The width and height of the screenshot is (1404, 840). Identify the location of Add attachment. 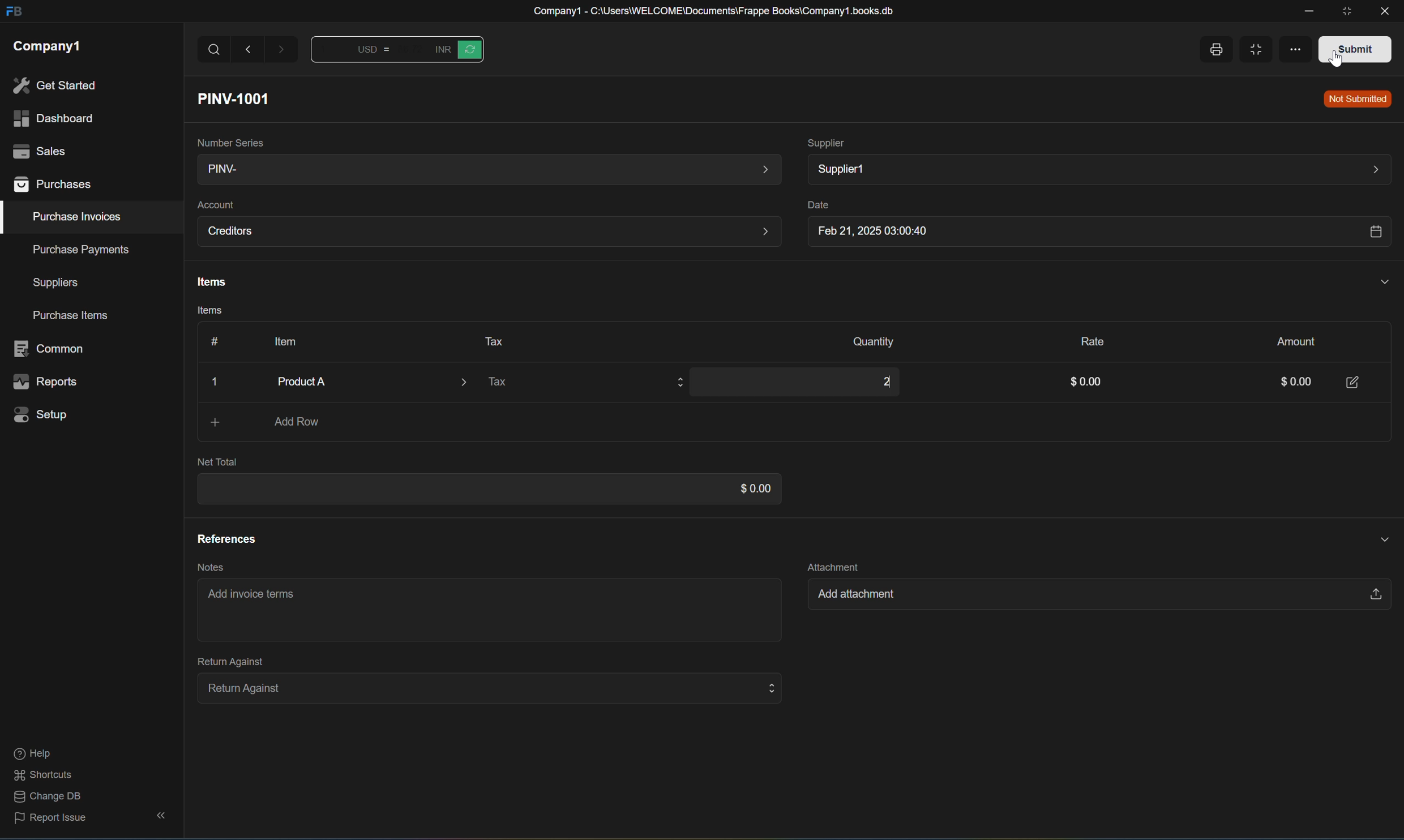
(1091, 597).